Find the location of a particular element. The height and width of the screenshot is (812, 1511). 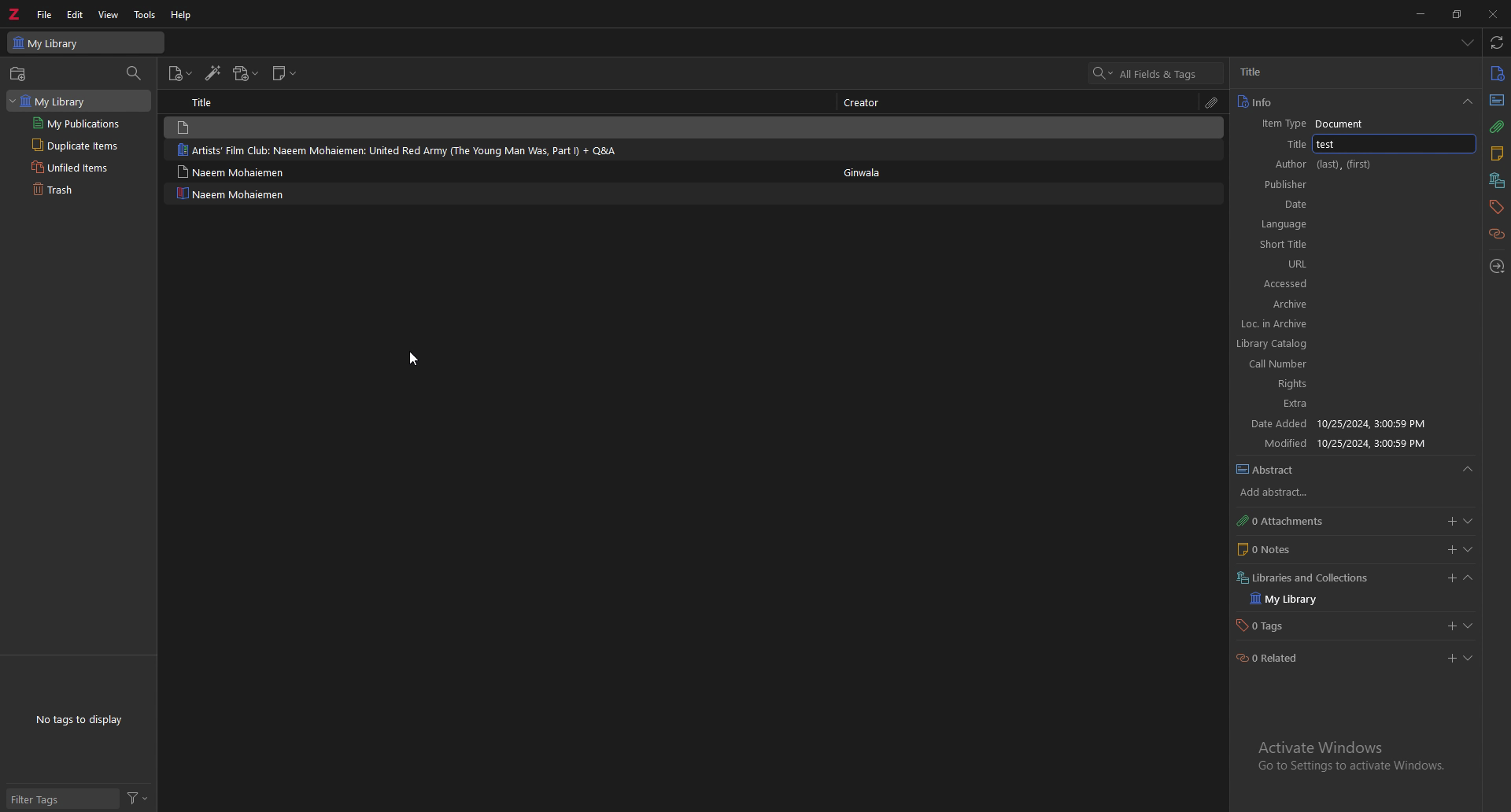

sync with zotero.org is located at coordinates (1497, 42).